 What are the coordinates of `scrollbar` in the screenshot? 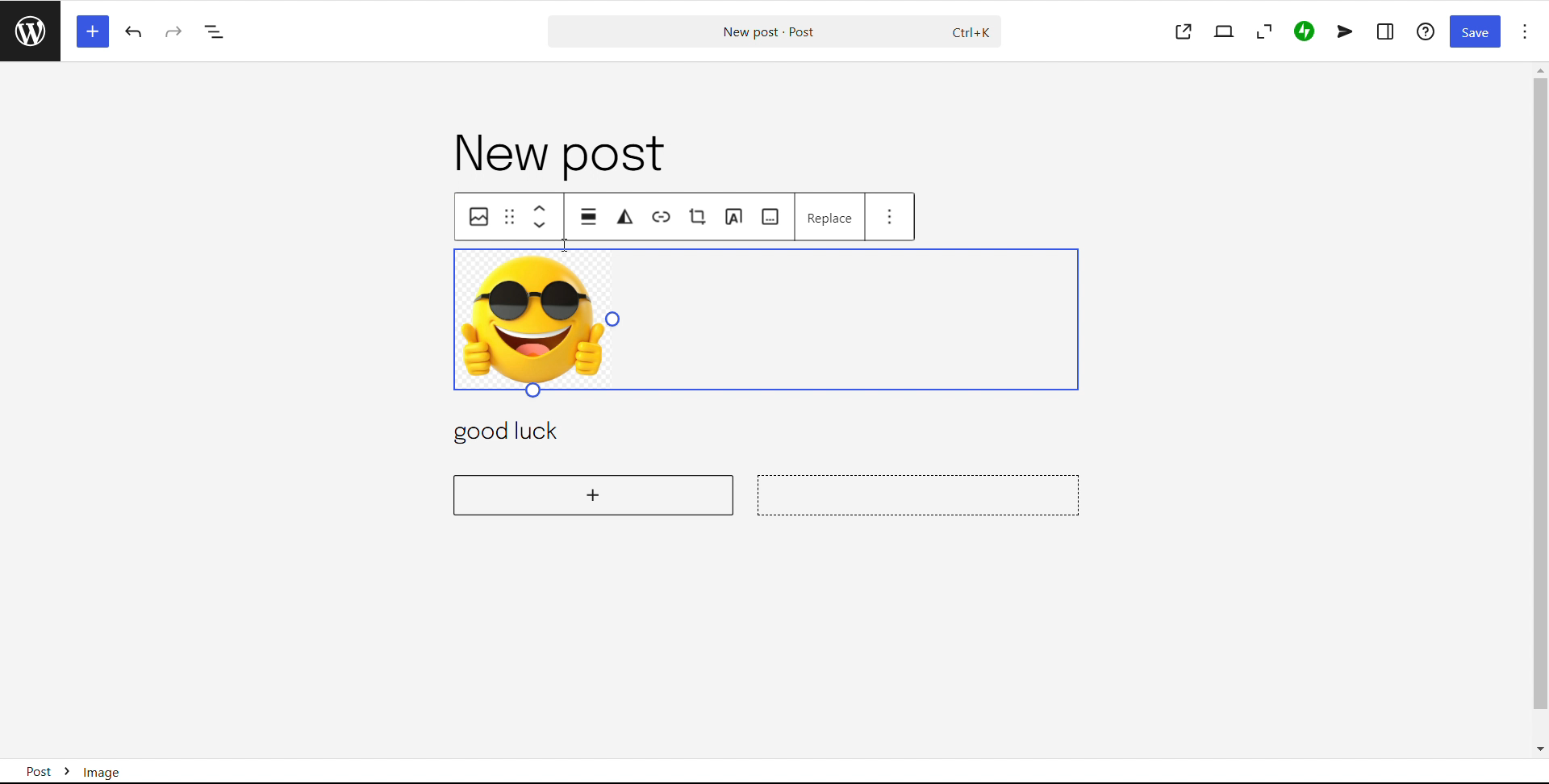 It's located at (1537, 413).